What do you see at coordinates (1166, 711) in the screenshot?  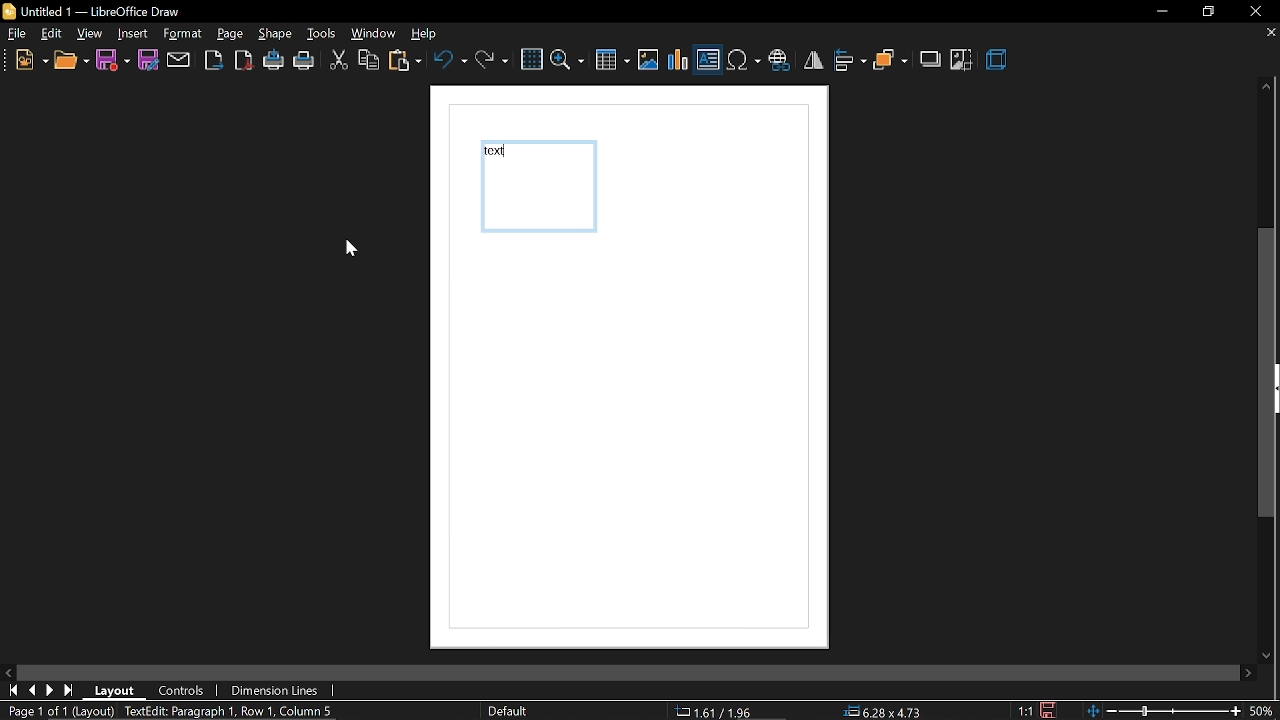 I see `change zoom` at bounding box center [1166, 711].